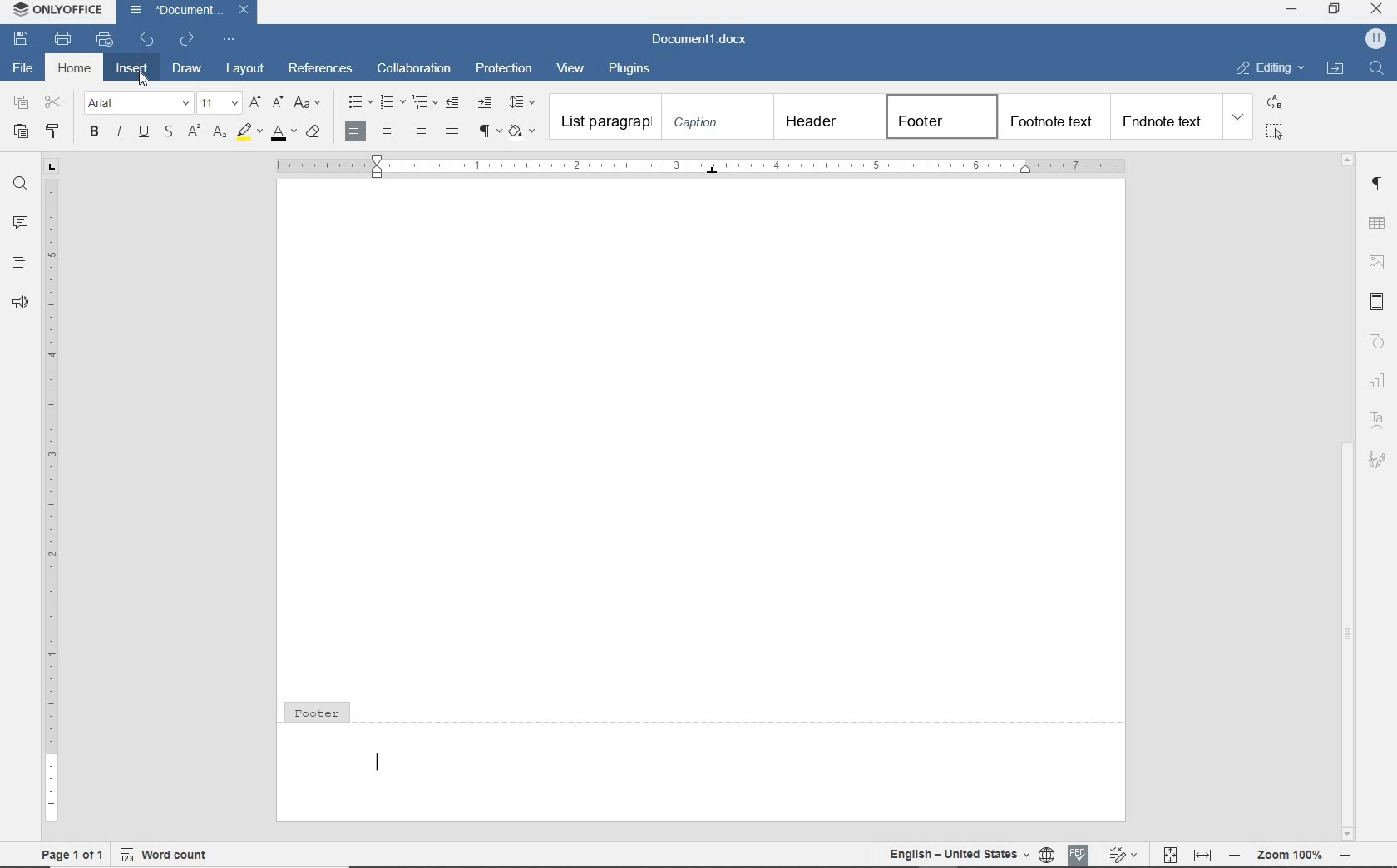 The width and height of the screenshot is (1397, 868). Describe the element at coordinates (49, 491) in the screenshot. I see `ruler` at that location.